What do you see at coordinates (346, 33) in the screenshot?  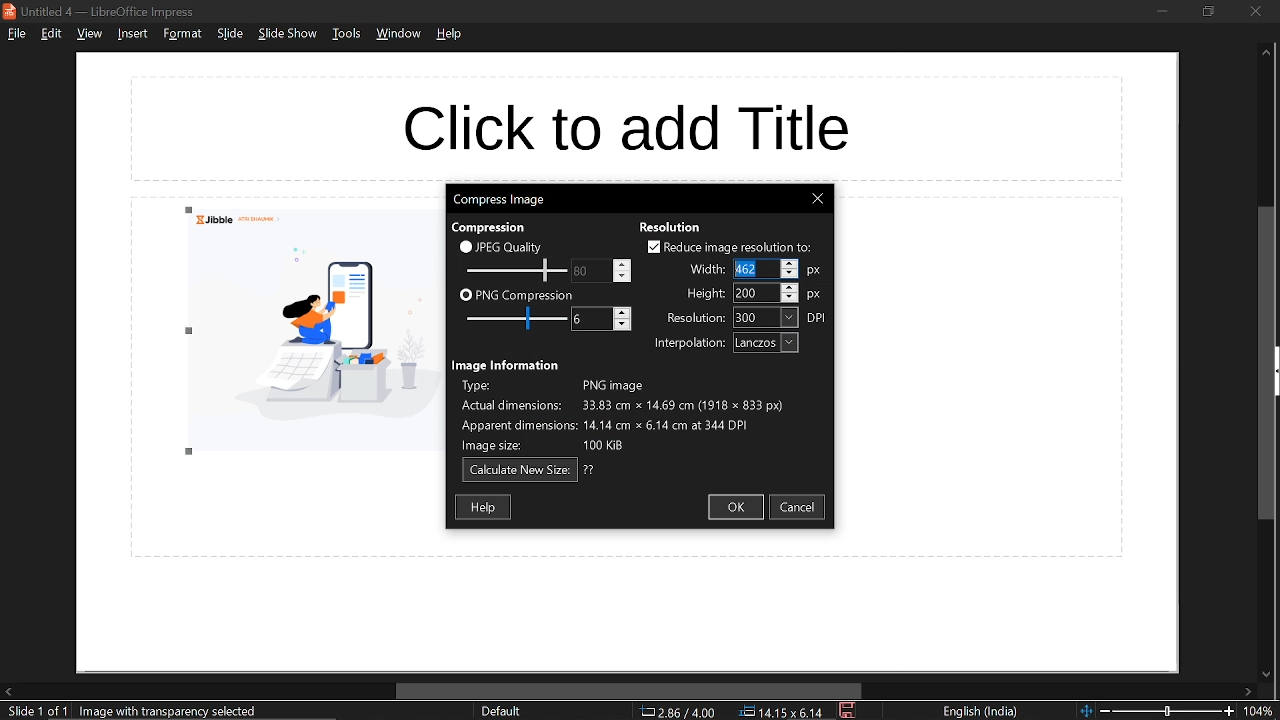 I see `tools` at bounding box center [346, 33].